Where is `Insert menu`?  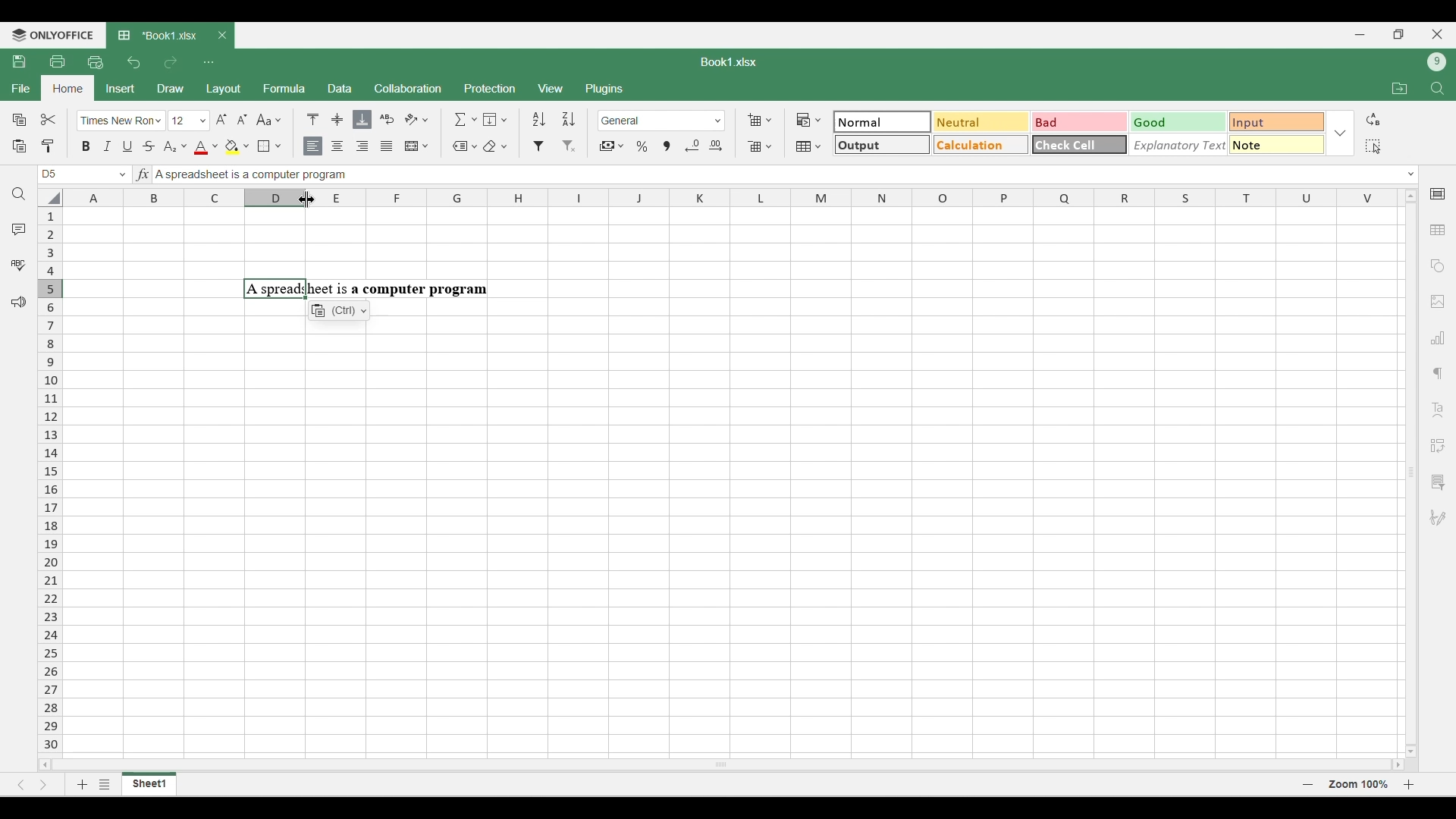 Insert menu is located at coordinates (121, 89).